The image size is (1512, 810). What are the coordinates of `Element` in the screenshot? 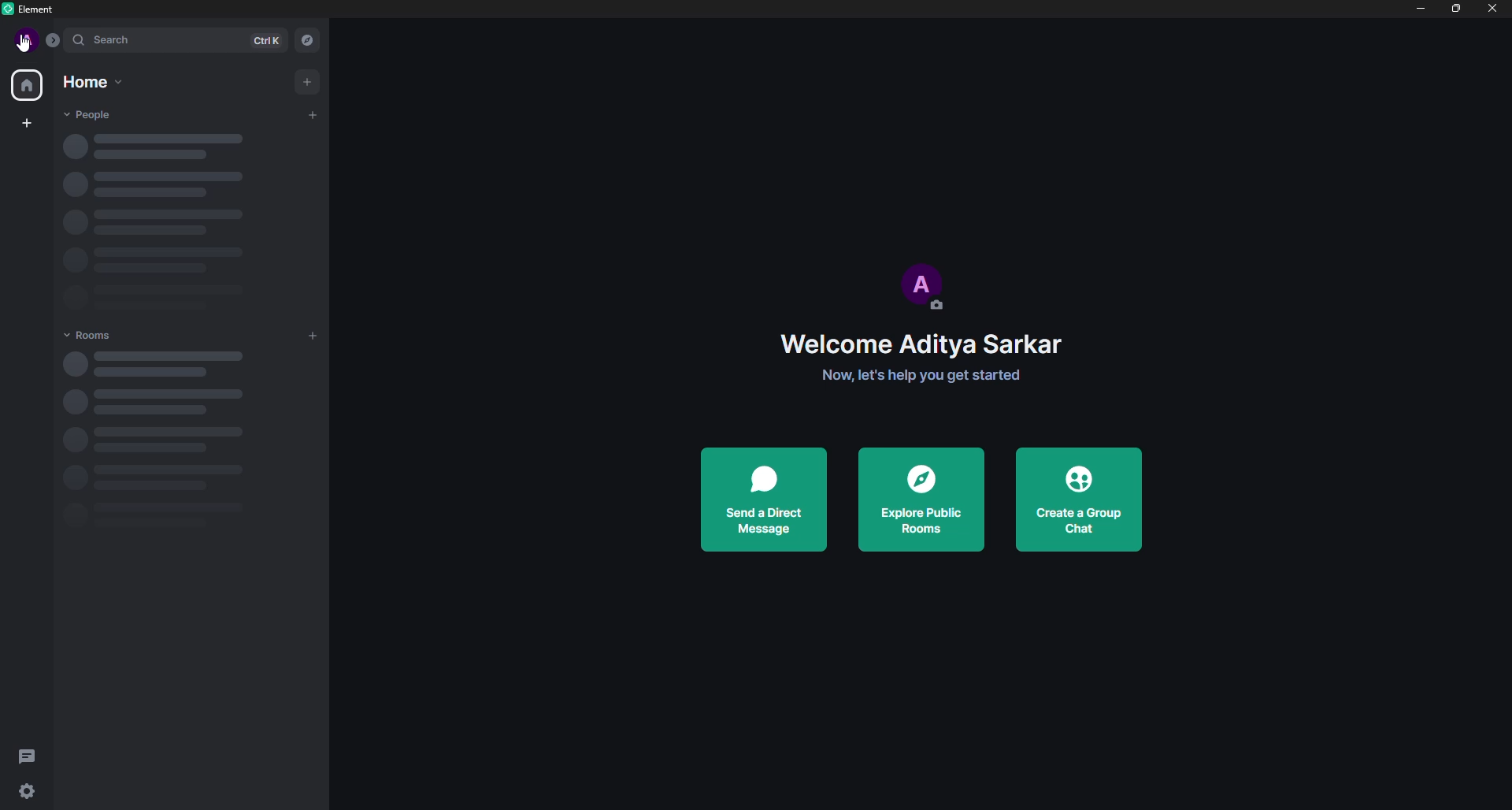 It's located at (28, 9).